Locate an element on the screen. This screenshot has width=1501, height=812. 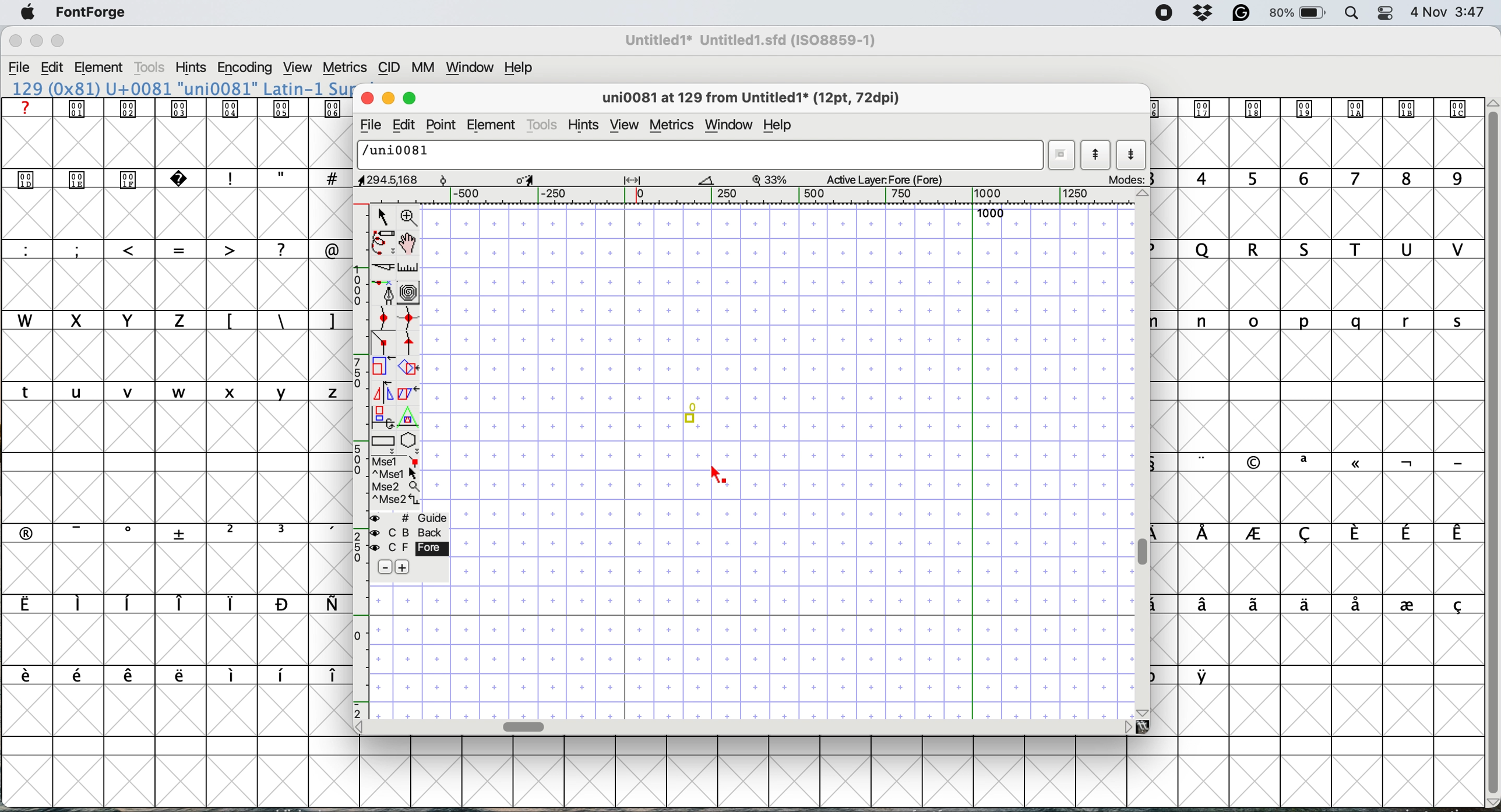
window is located at coordinates (729, 125).